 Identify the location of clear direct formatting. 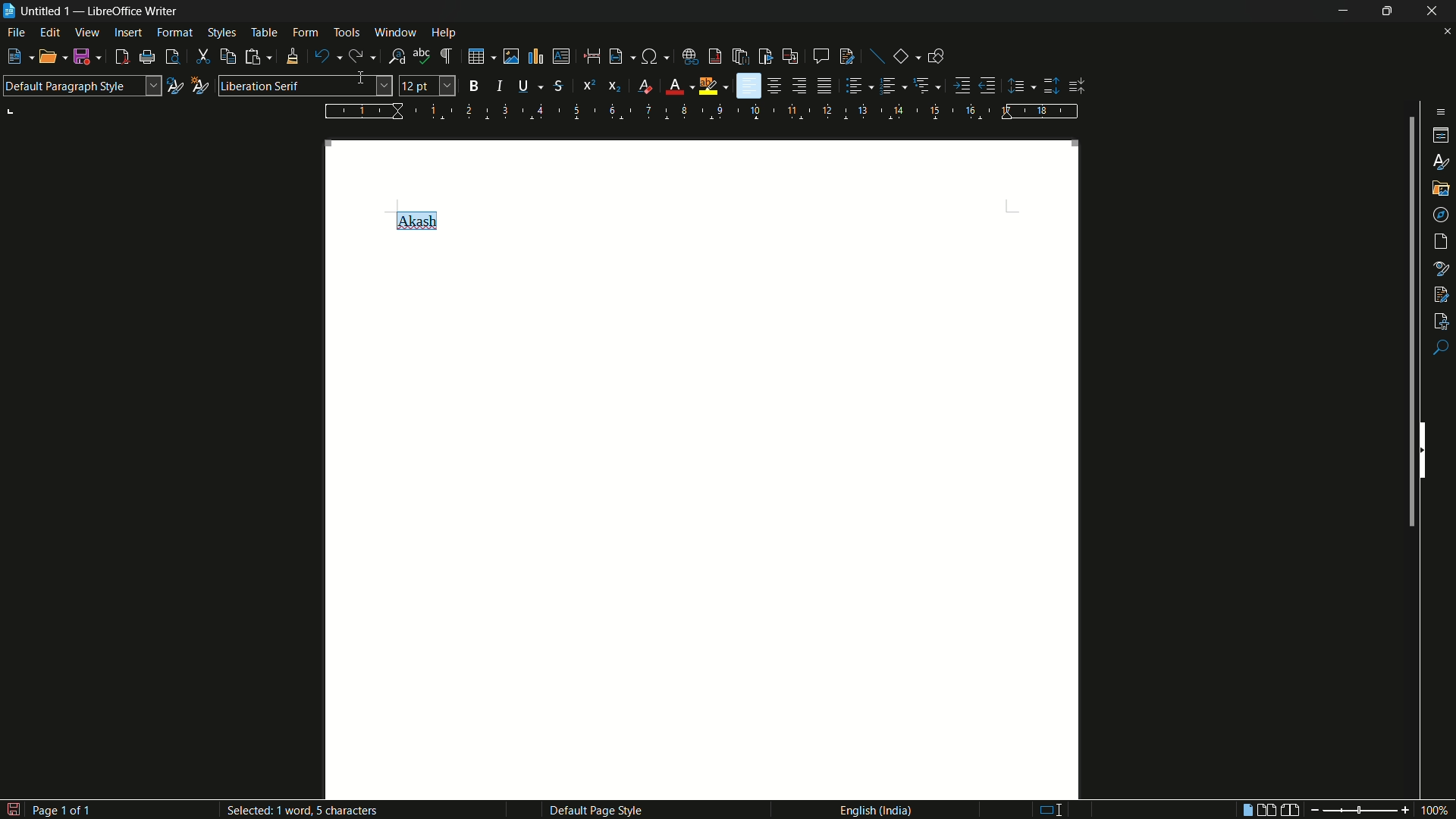
(648, 87).